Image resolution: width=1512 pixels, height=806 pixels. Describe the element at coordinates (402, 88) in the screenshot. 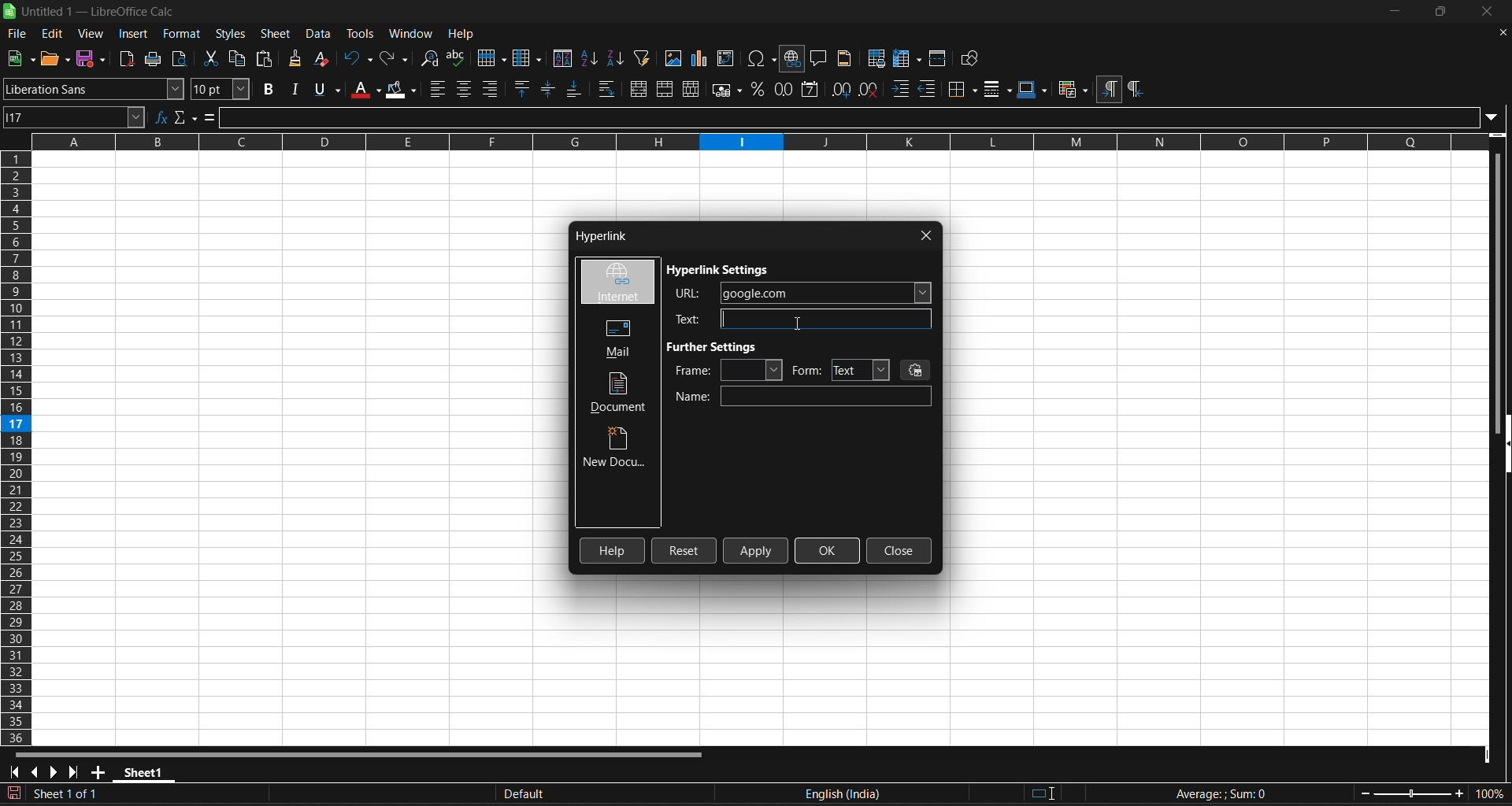

I see `background color` at that location.